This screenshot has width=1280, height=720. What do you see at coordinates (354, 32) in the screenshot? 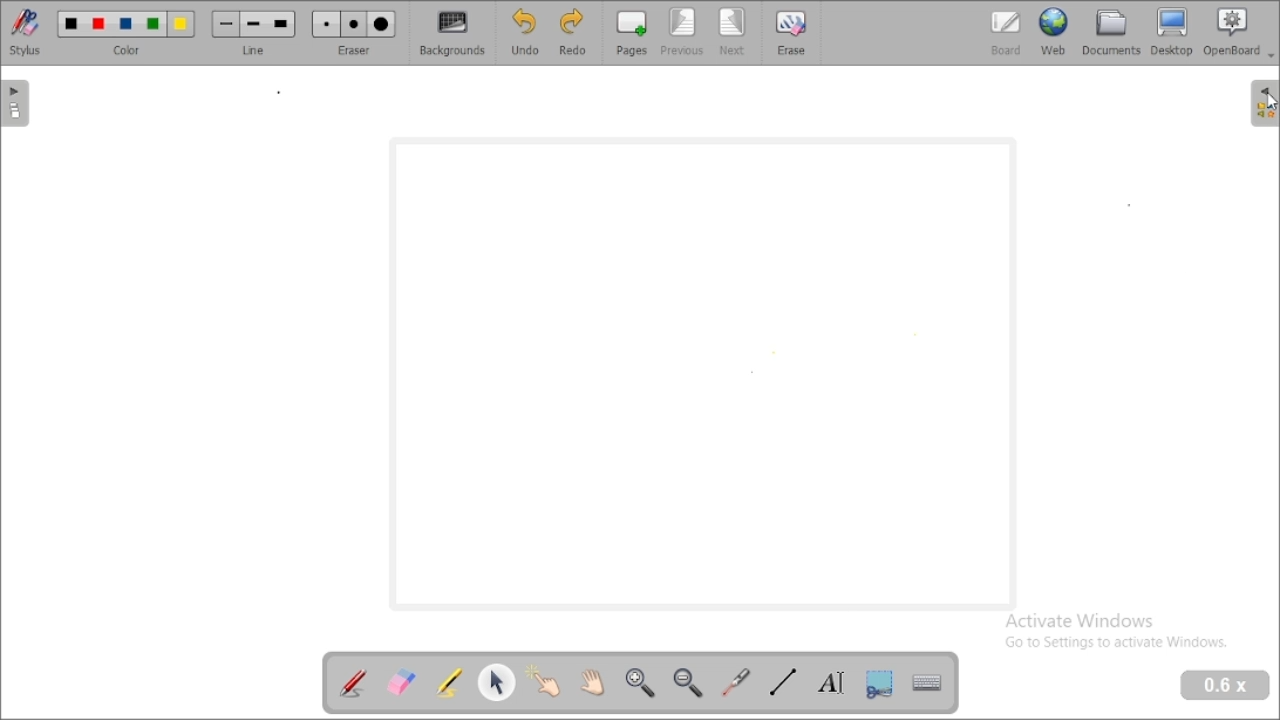
I see `eraser` at bounding box center [354, 32].